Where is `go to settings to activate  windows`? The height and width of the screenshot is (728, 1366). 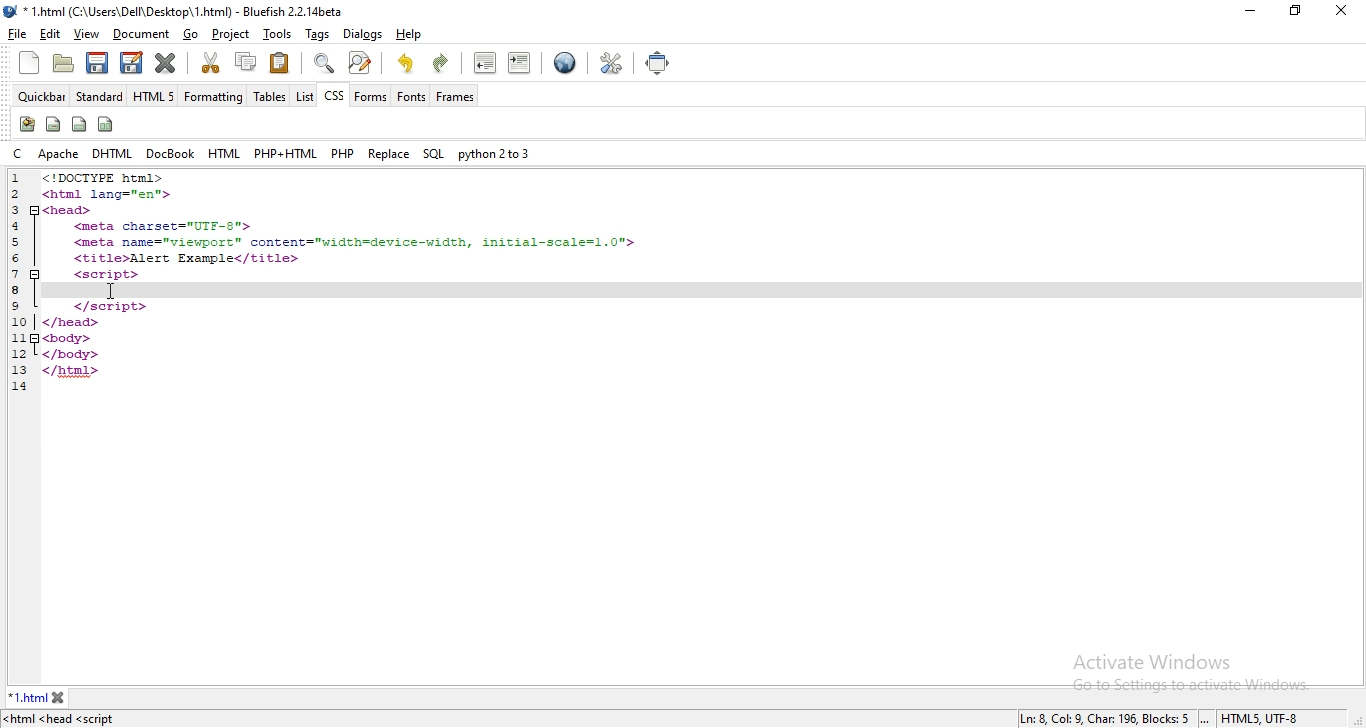 go to settings to activate  windows is located at coordinates (1183, 687).